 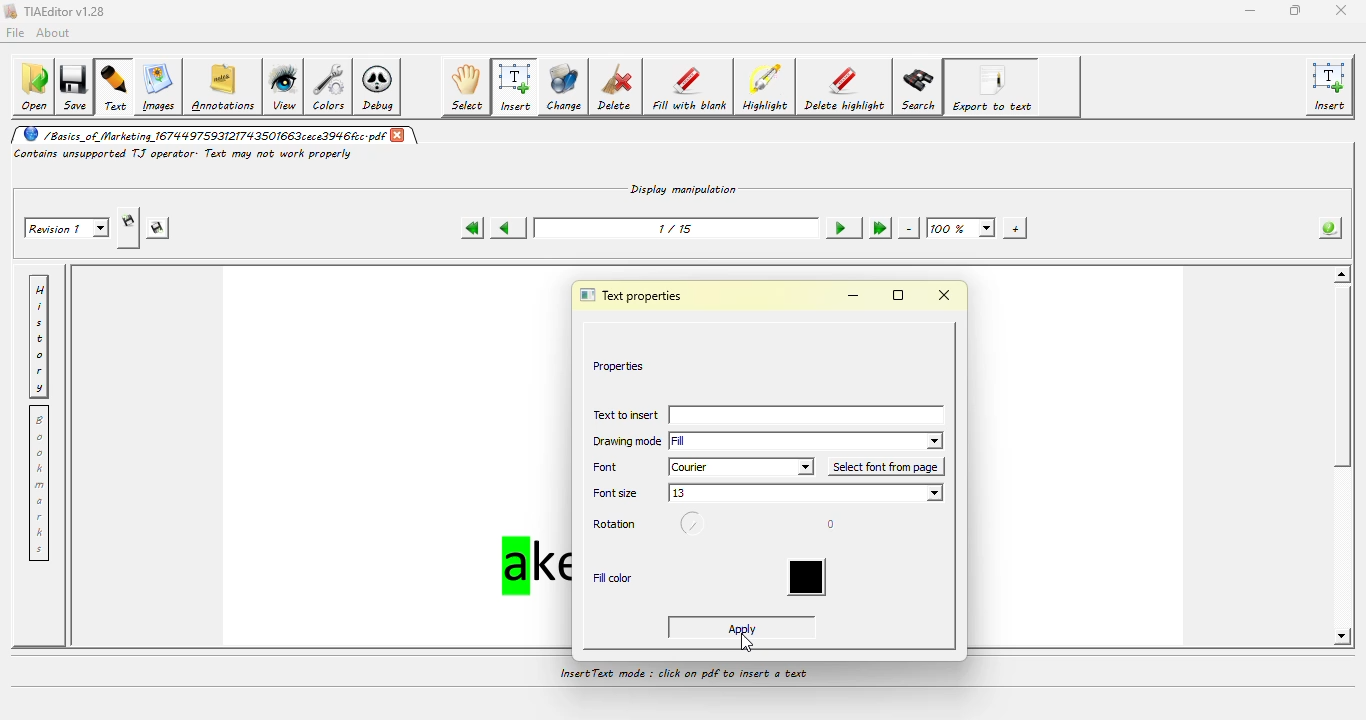 I want to click on export to text, so click(x=994, y=87).